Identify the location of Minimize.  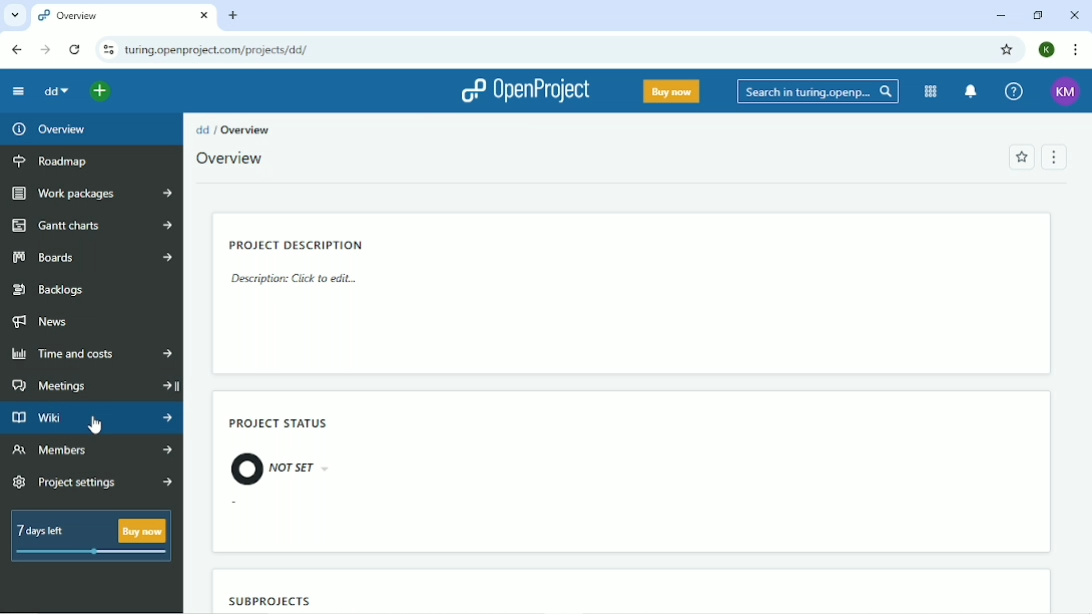
(1002, 15).